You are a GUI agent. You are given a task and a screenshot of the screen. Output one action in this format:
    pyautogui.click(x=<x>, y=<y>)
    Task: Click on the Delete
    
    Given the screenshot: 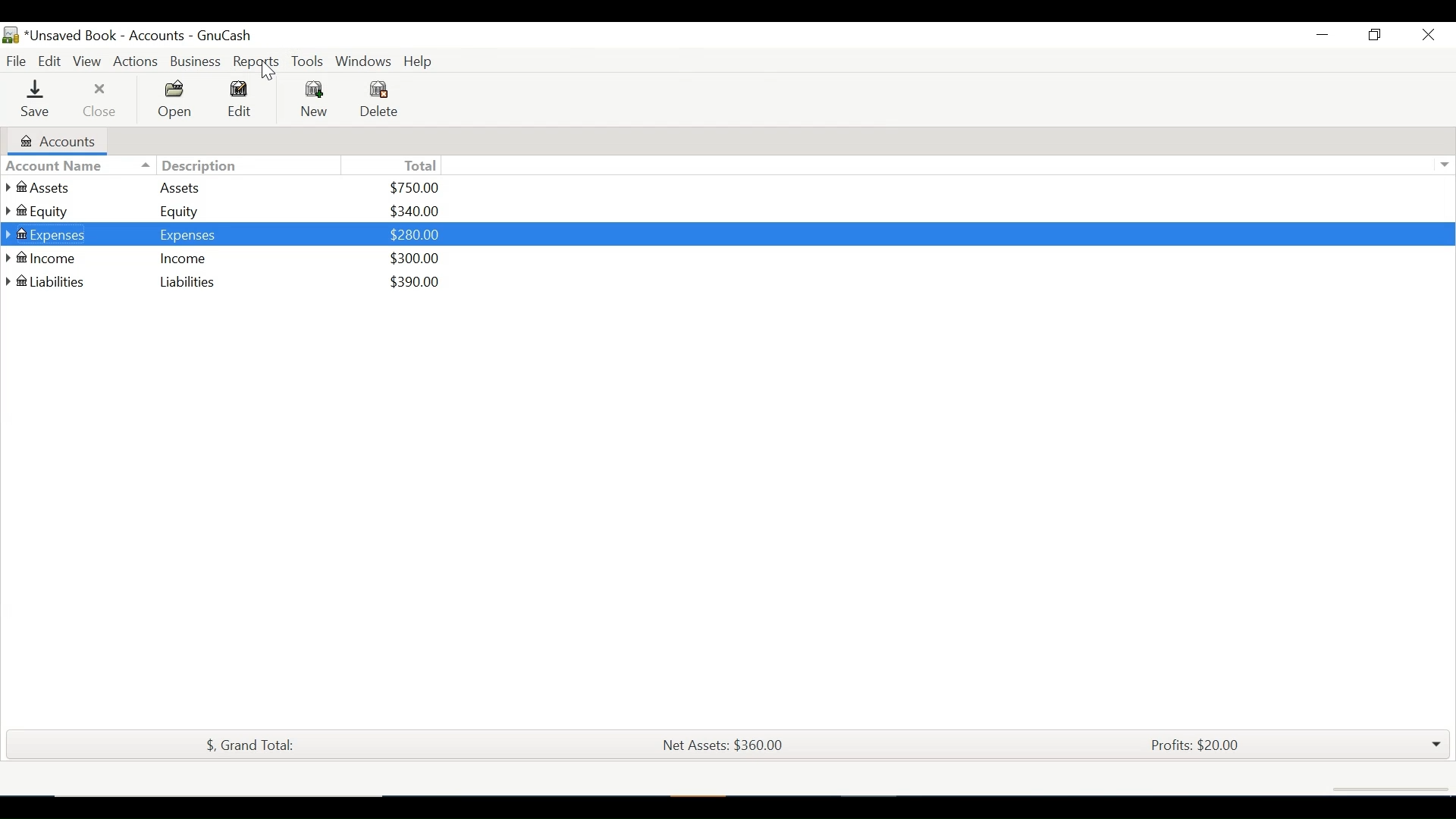 What is the action you would take?
    pyautogui.click(x=376, y=100)
    